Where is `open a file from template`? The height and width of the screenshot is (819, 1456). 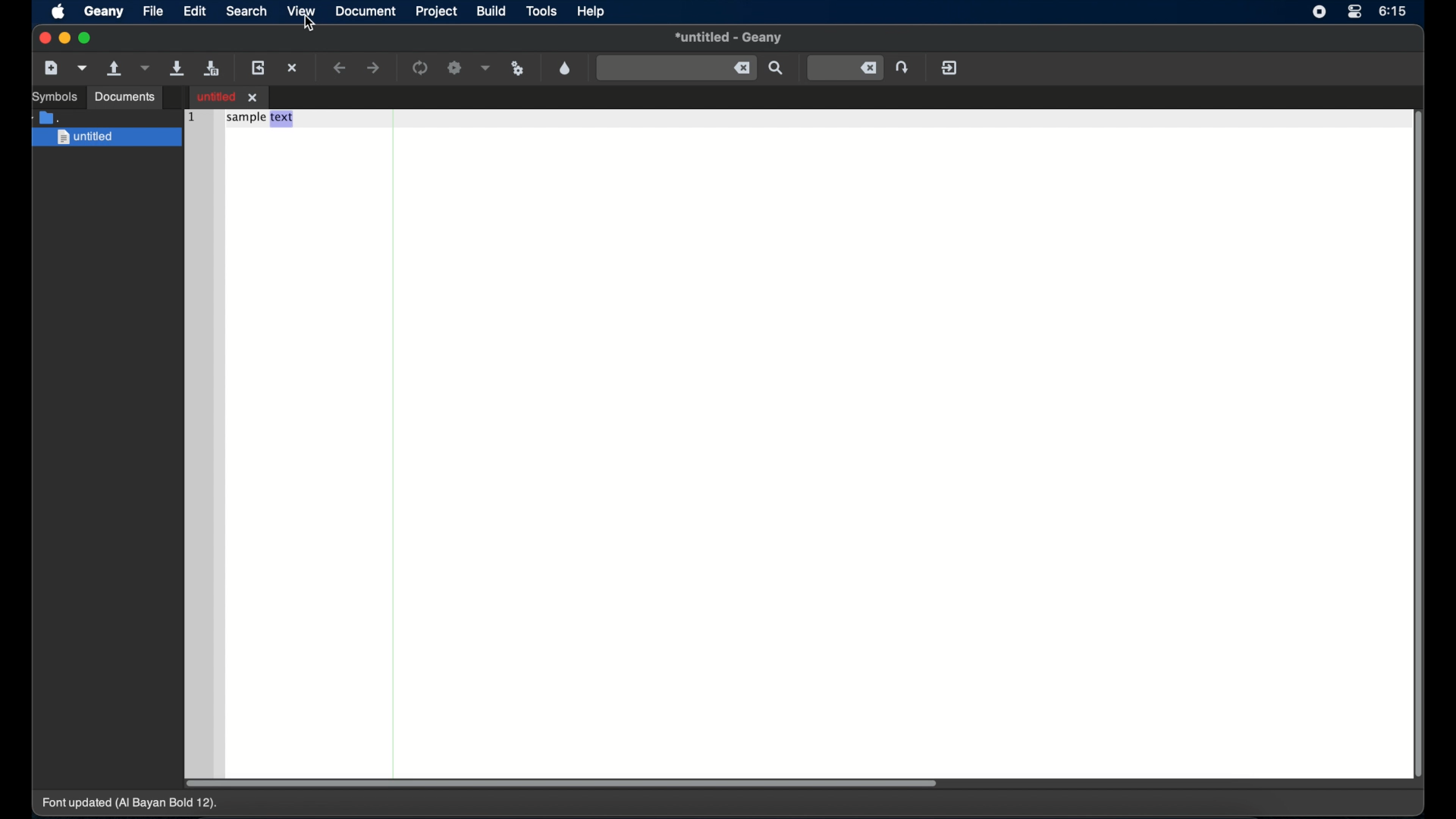
open a file from template is located at coordinates (84, 67).